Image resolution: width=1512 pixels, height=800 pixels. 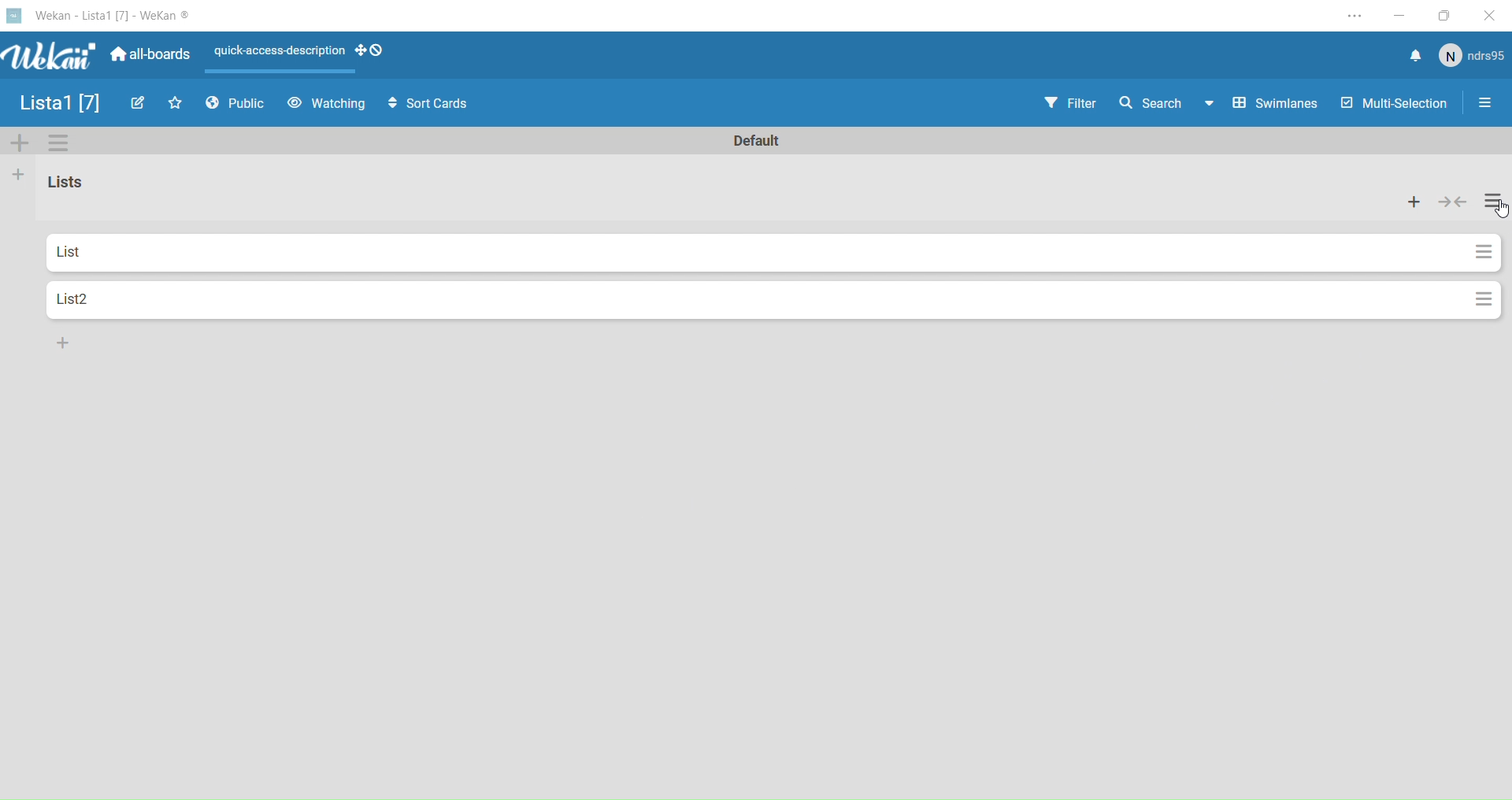 What do you see at coordinates (754, 254) in the screenshot?
I see `List` at bounding box center [754, 254].